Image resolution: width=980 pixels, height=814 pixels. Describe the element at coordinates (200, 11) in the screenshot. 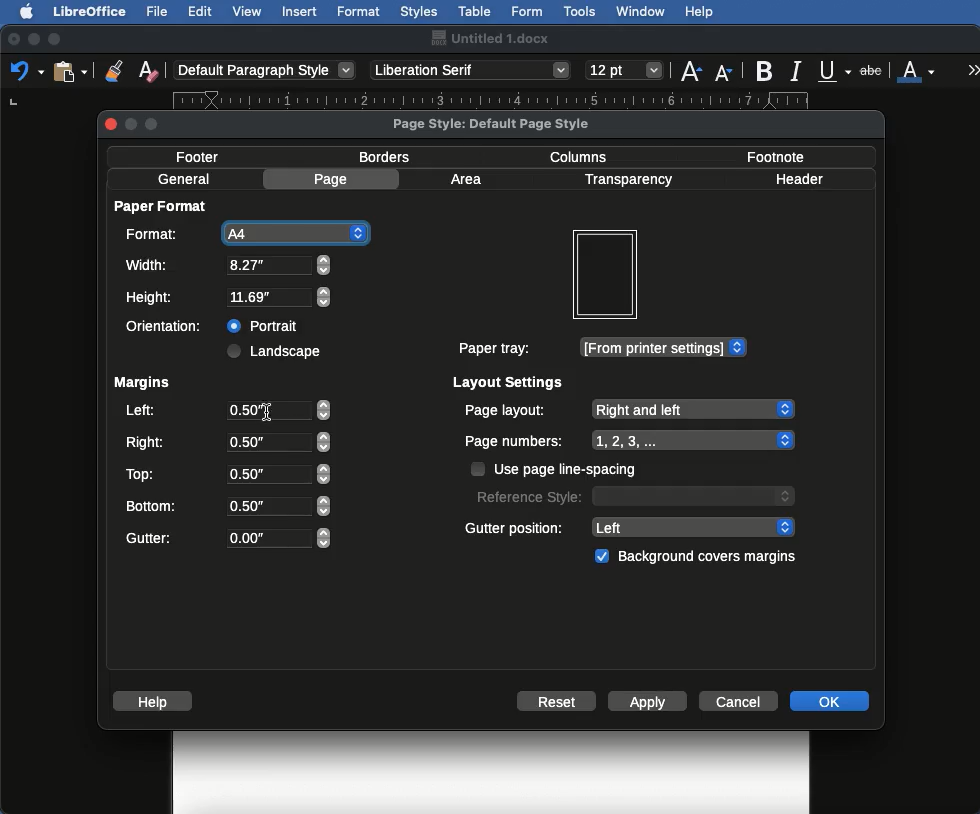

I see `Edit` at that location.